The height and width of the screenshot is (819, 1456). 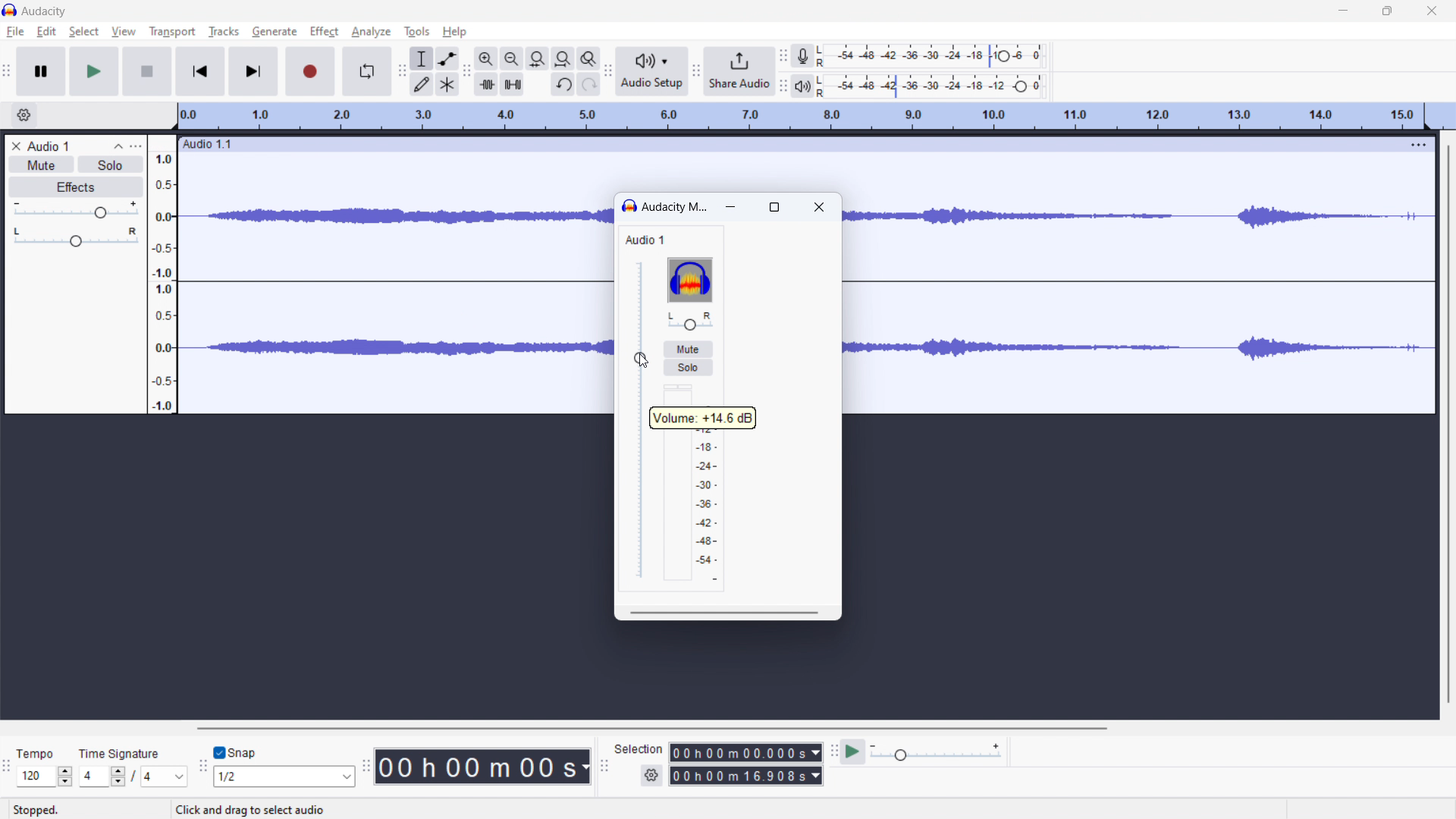 What do you see at coordinates (486, 84) in the screenshot?
I see `trim audio outside selection` at bounding box center [486, 84].